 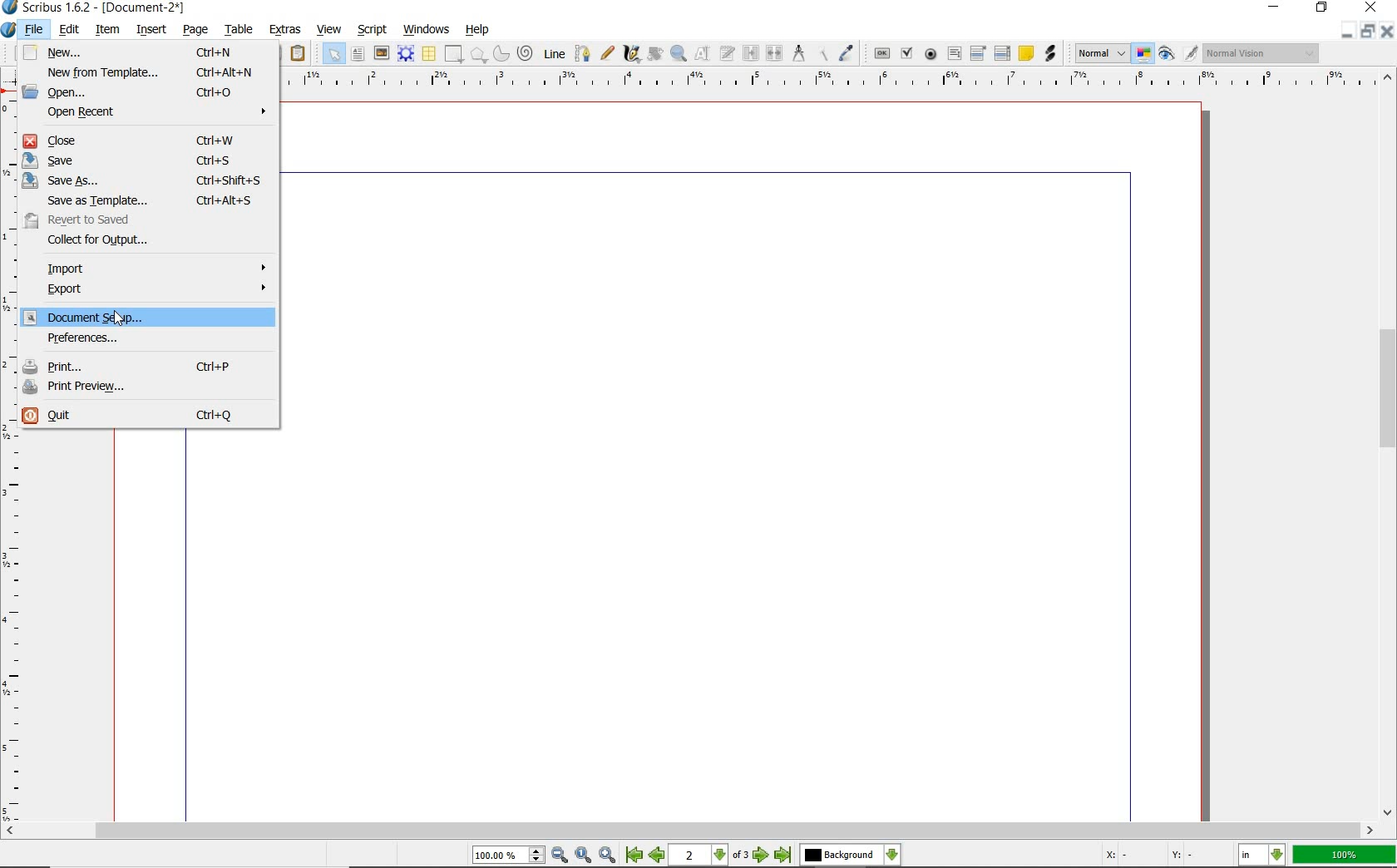 I want to click on calligraphic line, so click(x=633, y=54).